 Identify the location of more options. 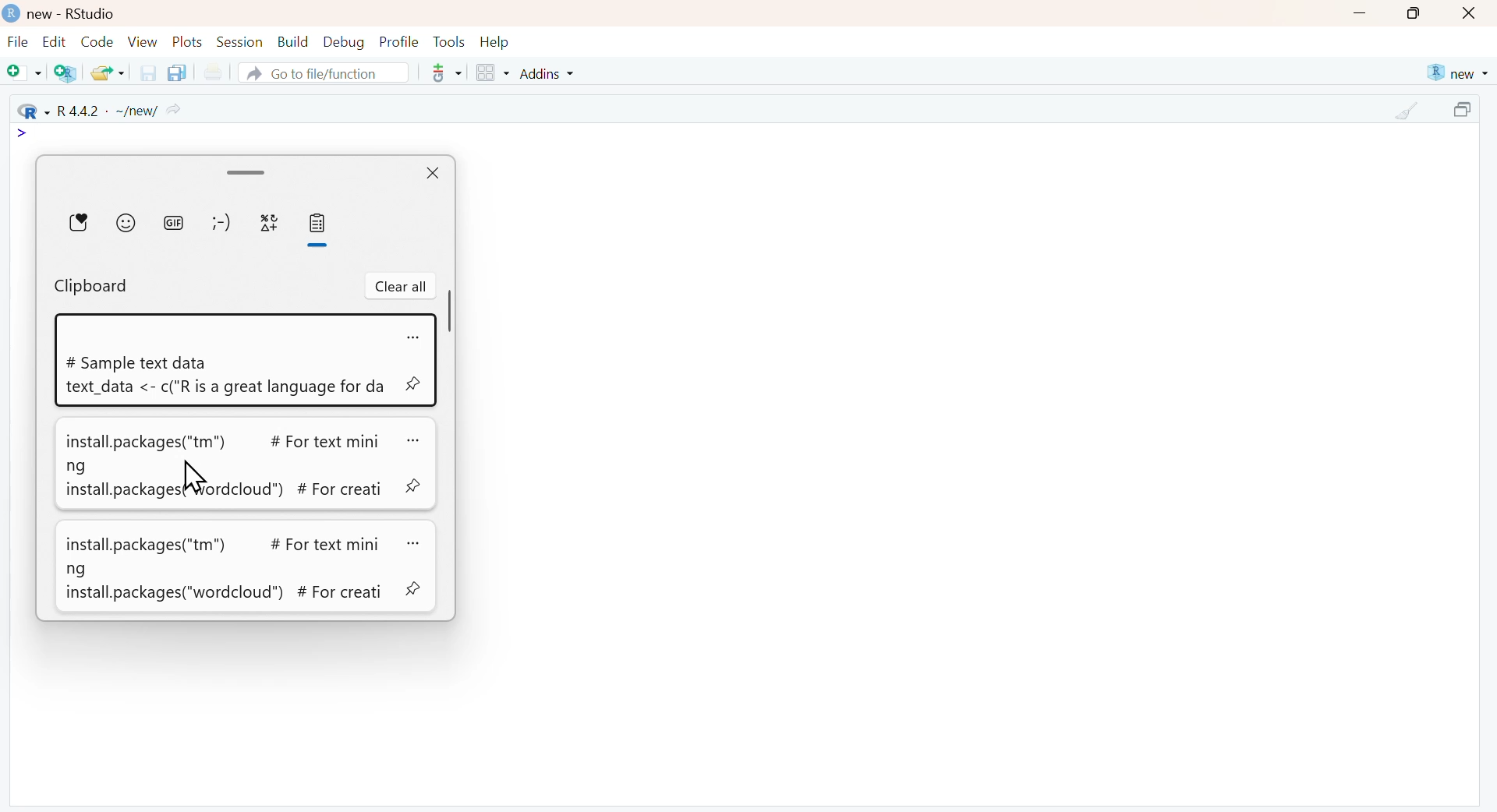
(415, 339).